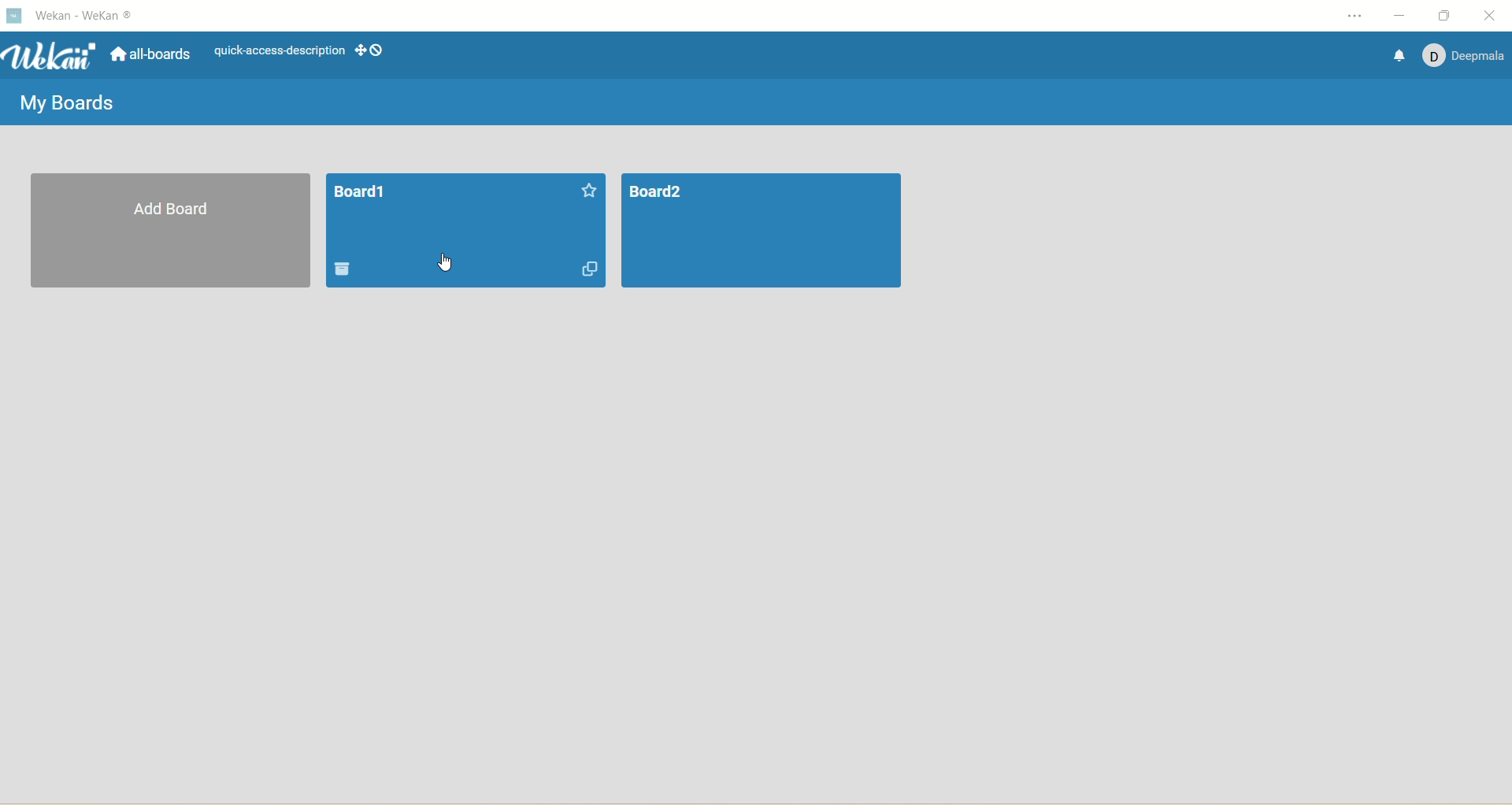 This screenshot has width=1512, height=805. What do you see at coordinates (380, 50) in the screenshot?
I see `Show-desktop-drag-handles` at bounding box center [380, 50].